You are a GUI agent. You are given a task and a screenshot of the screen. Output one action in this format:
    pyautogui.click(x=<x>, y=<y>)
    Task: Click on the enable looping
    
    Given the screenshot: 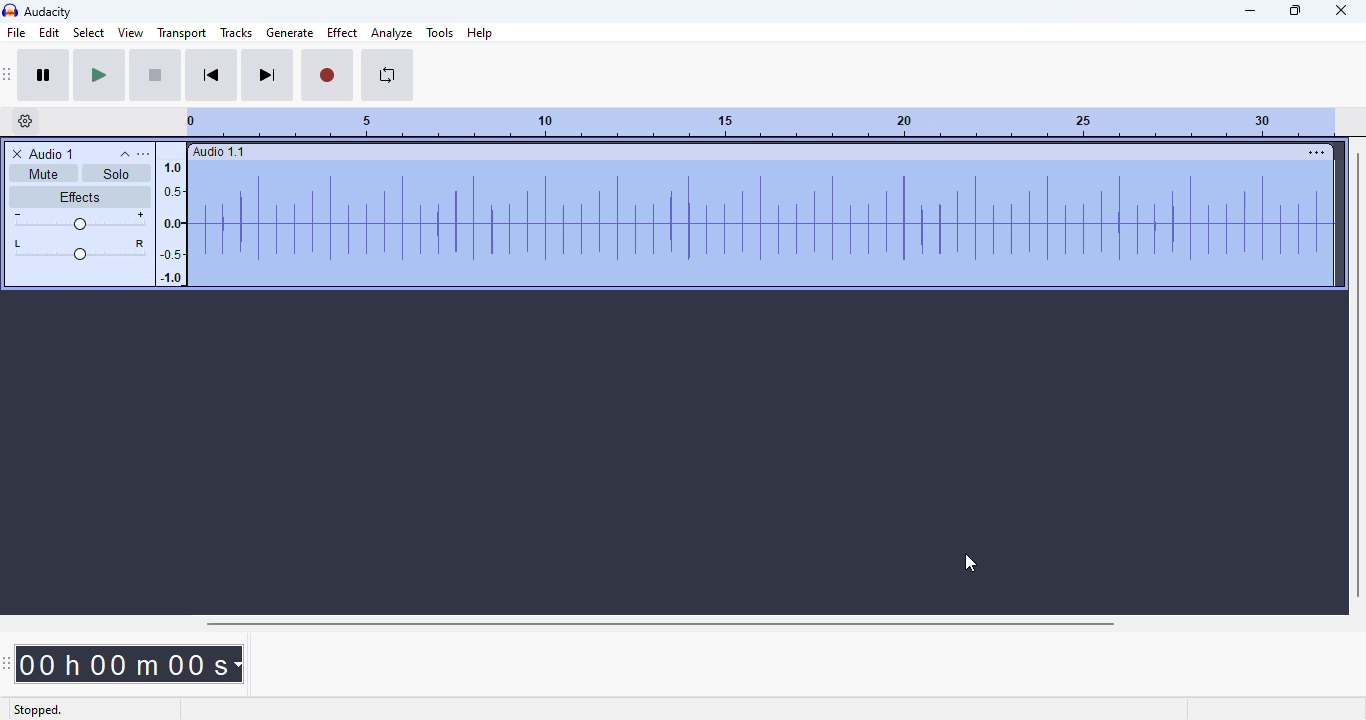 What is the action you would take?
    pyautogui.click(x=388, y=75)
    